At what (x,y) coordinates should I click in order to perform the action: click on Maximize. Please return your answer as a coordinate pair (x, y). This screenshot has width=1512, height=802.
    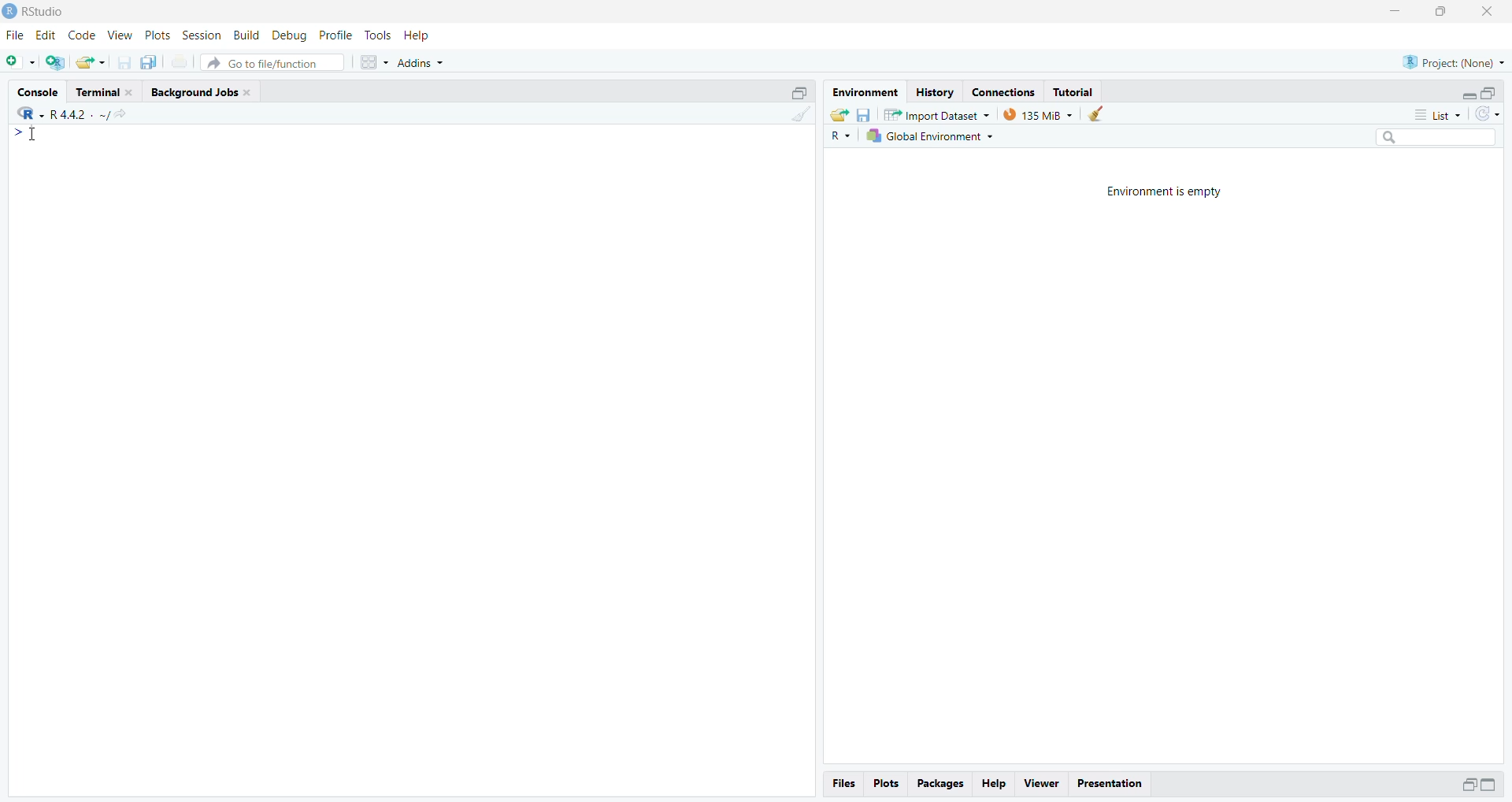
    Looking at the image, I should click on (801, 91).